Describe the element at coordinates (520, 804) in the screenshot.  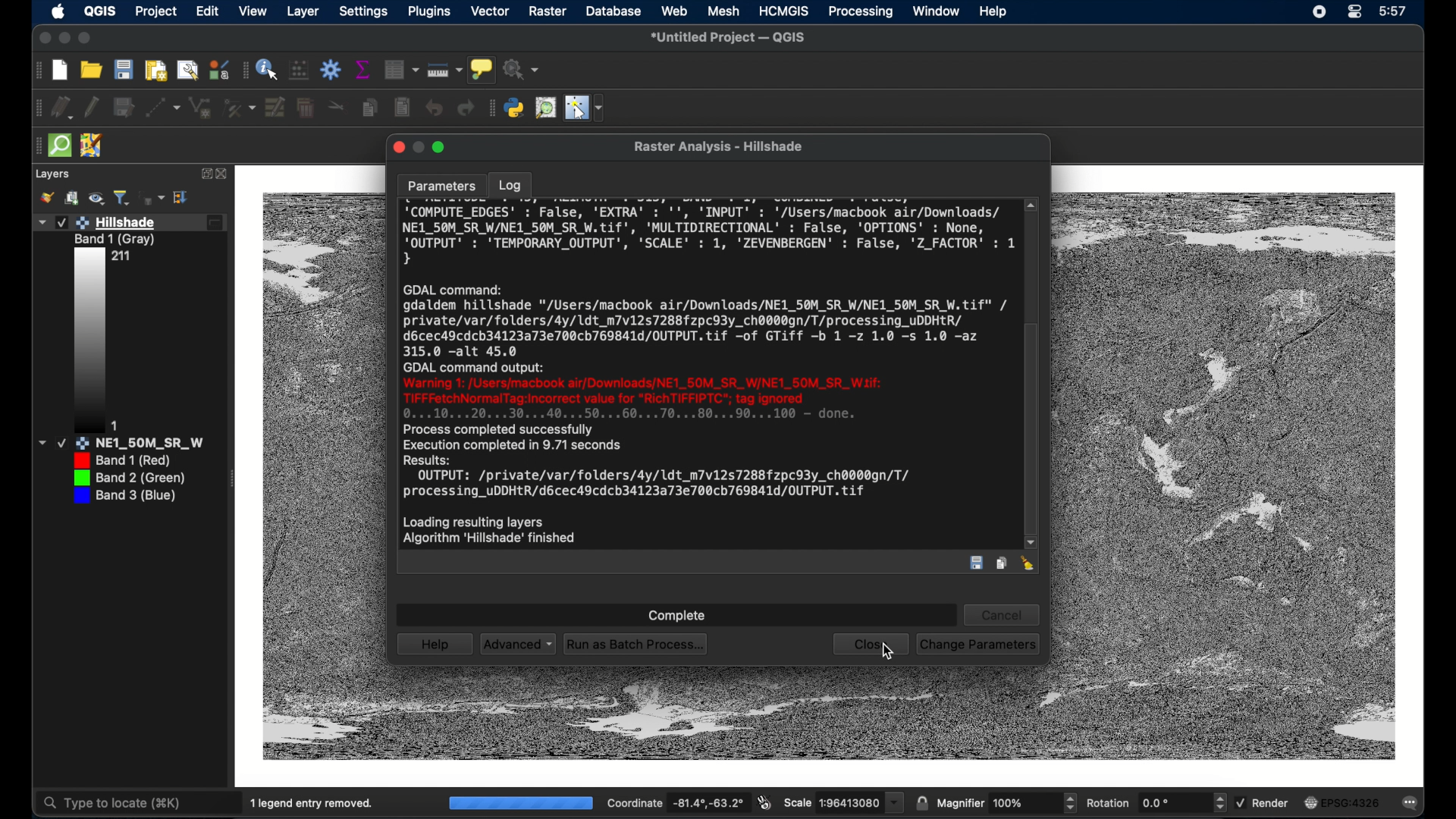
I see `100%` at that location.